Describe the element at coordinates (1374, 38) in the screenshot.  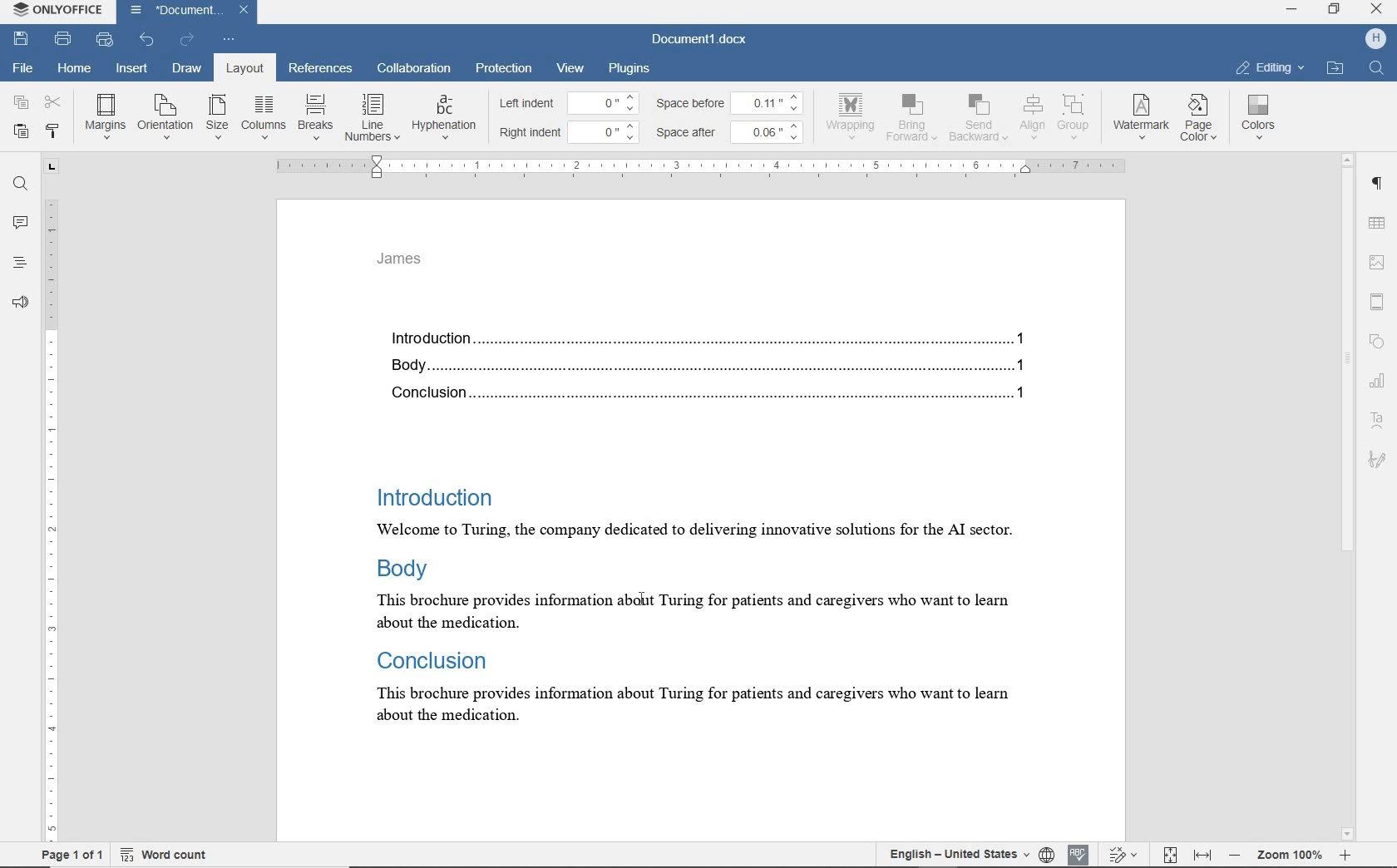
I see `profile` at that location.